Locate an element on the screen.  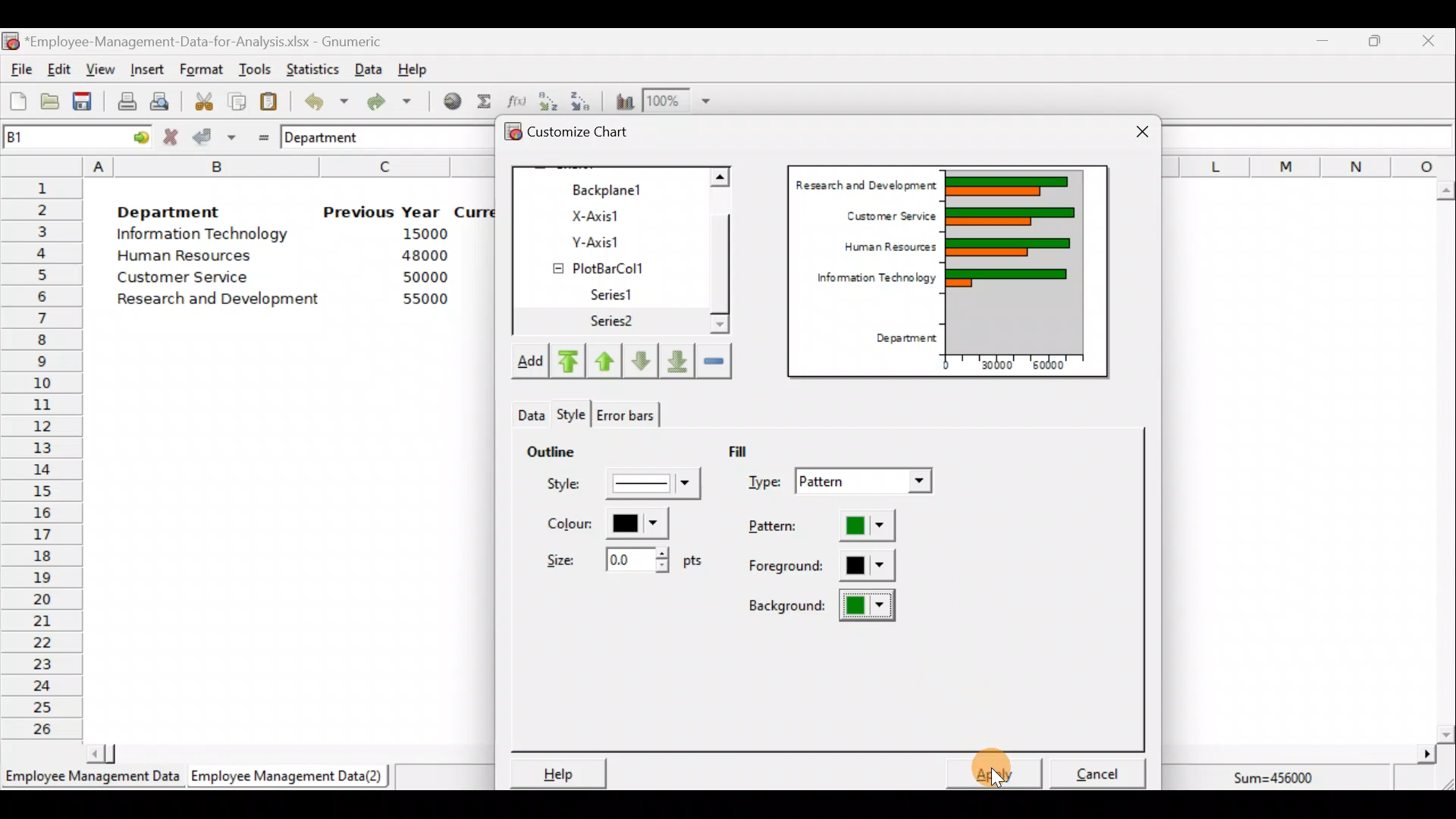
Backplane1 is located at coordinates (613, 188).